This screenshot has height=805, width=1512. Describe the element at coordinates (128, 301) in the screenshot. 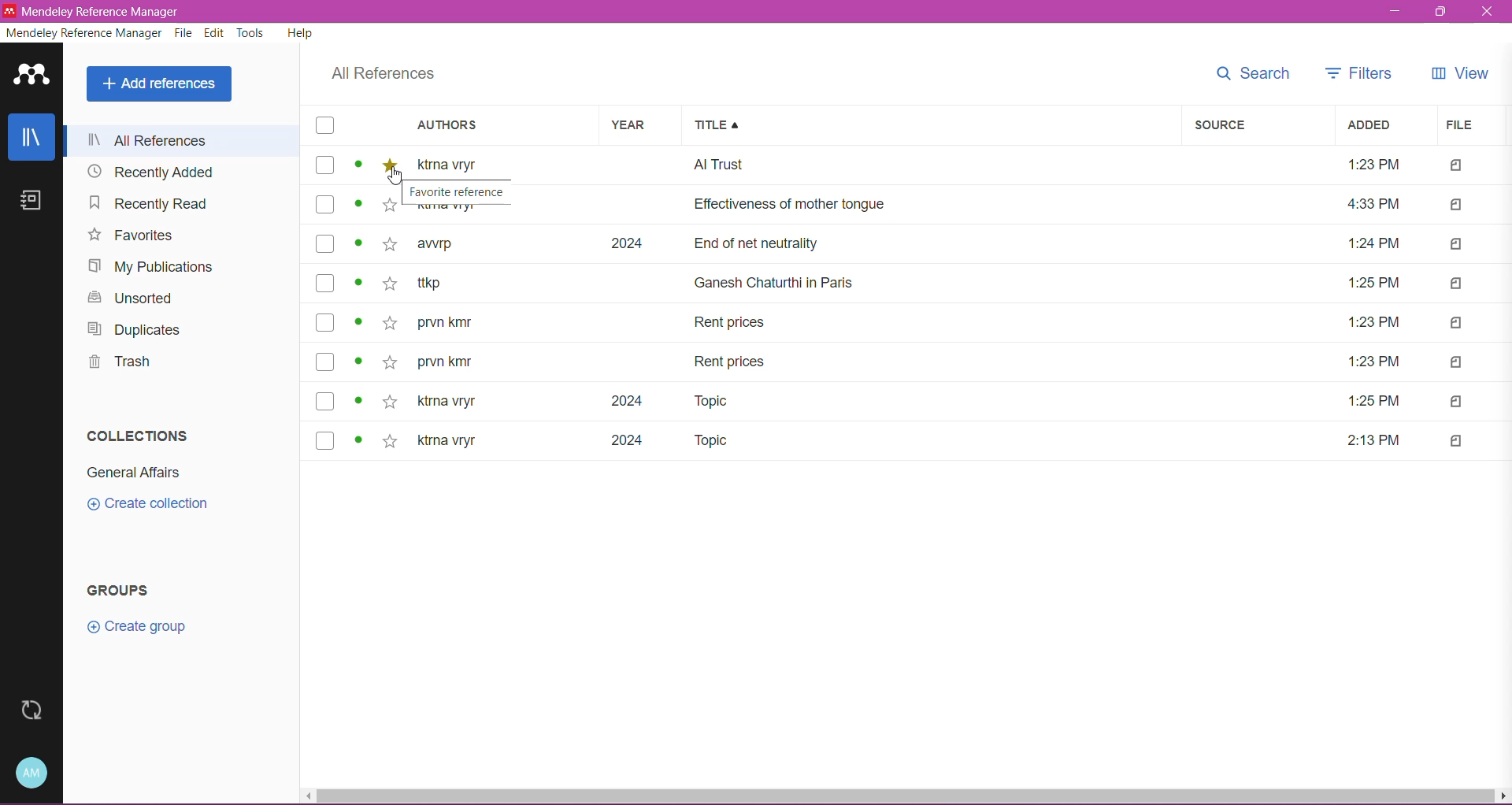

I see `Unsorted` at that location.